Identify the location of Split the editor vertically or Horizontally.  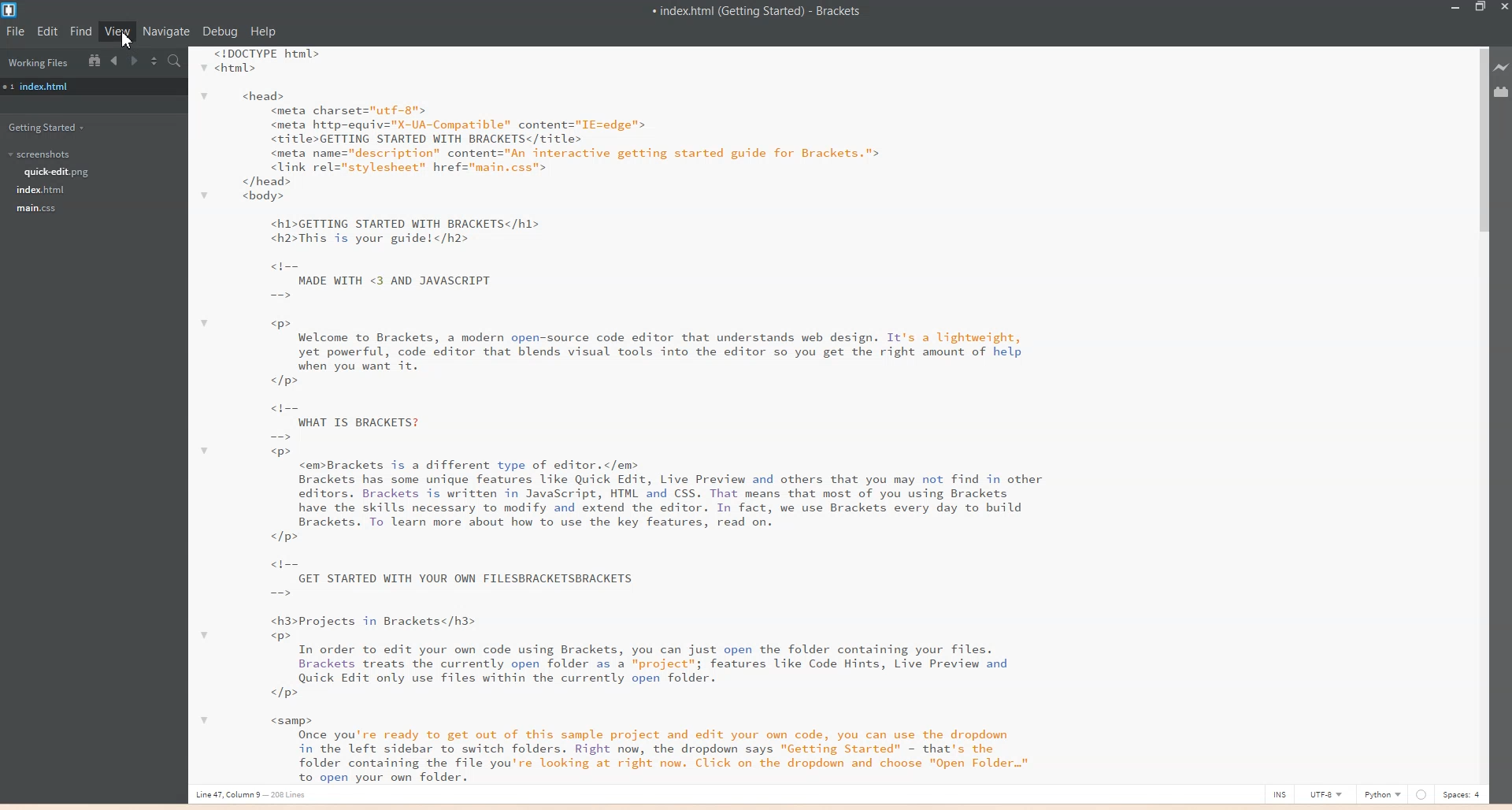
(155, 61).